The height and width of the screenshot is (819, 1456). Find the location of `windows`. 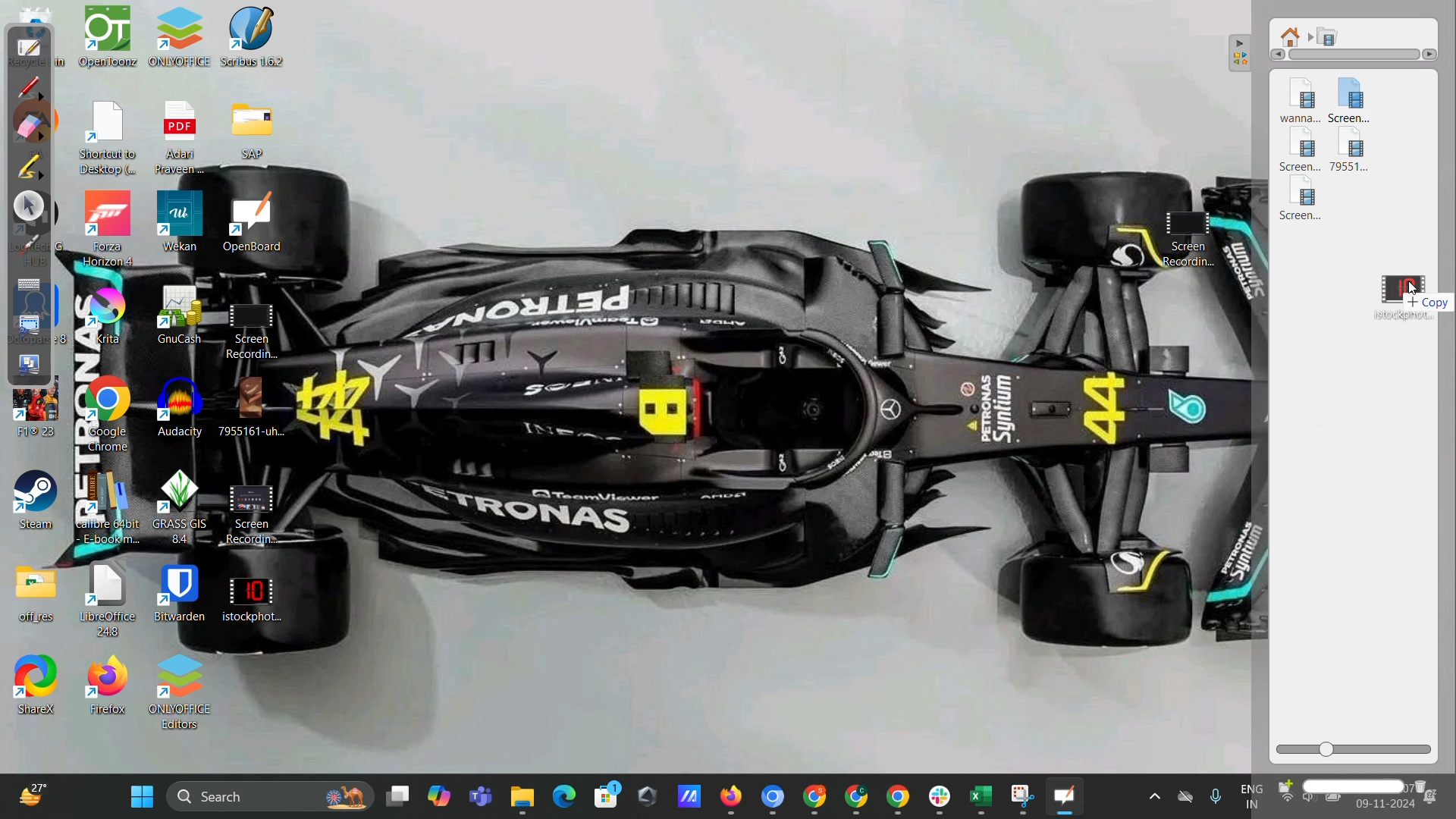

windows is located at coordinates (144, 799).